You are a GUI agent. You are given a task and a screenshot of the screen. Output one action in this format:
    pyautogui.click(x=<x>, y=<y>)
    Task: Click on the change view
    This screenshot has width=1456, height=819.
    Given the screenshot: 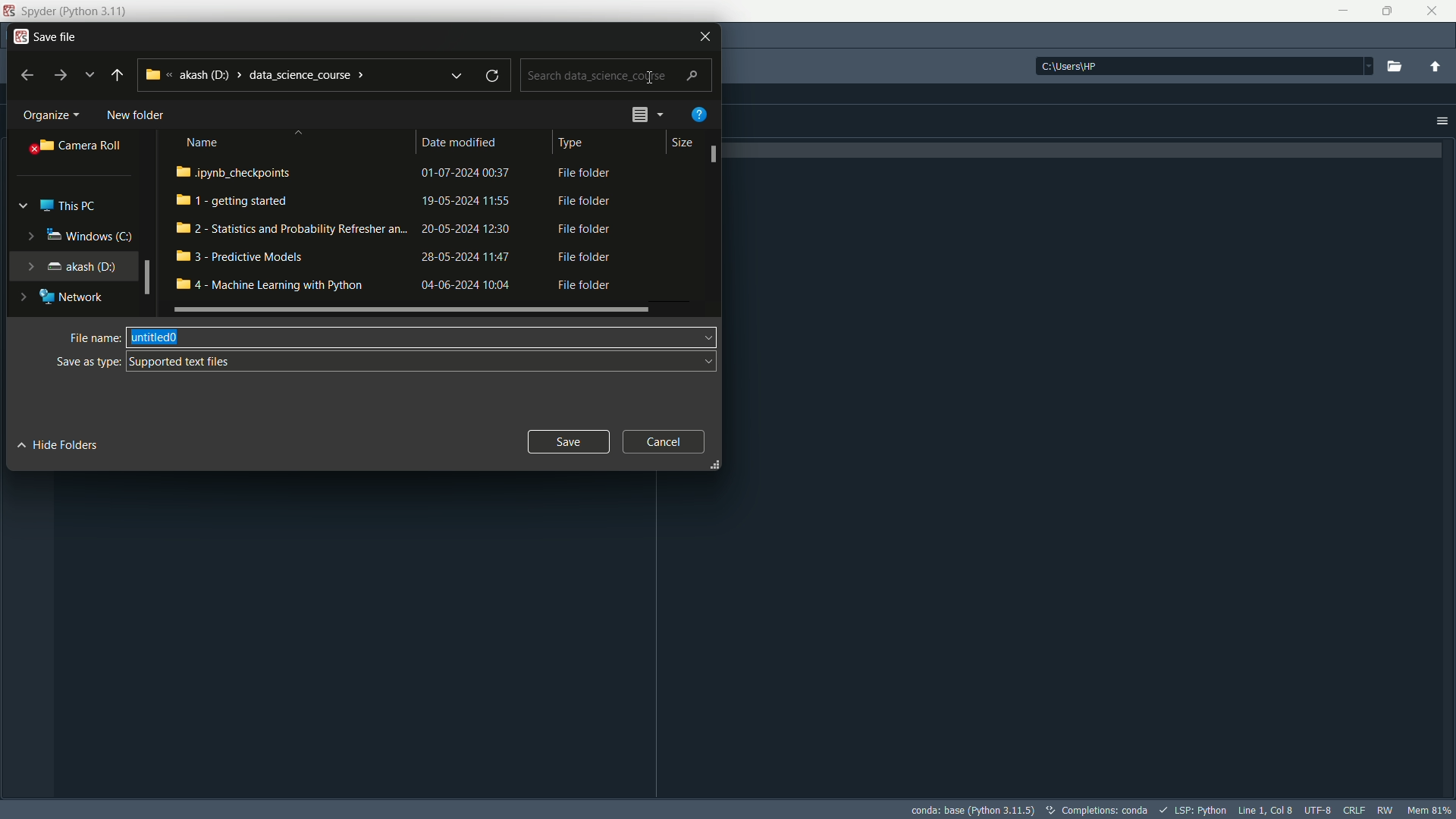 What is the action you would take?
    pyautogui.click(x=648, y=114)
    